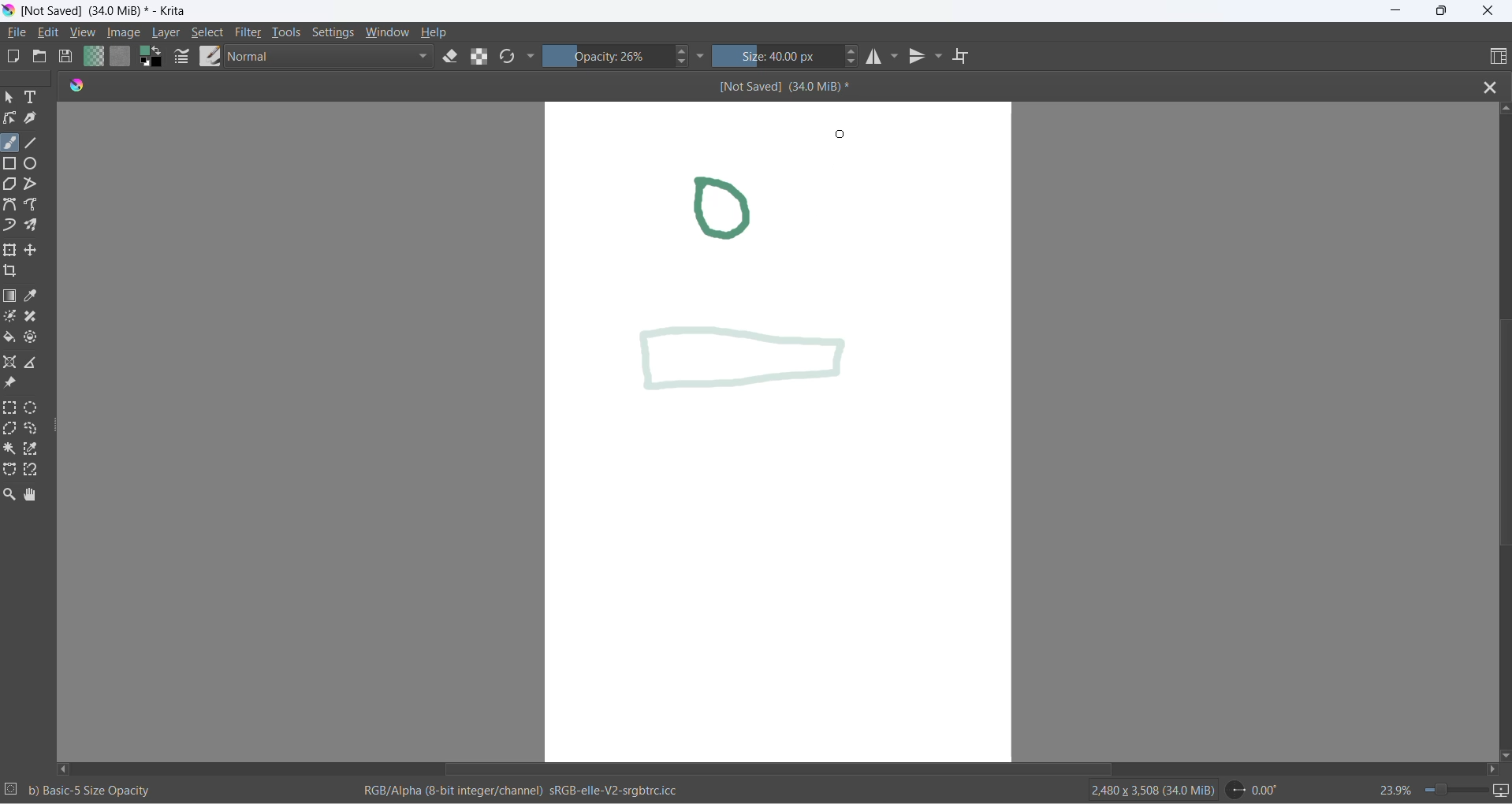 The height and width of the screenshot is (804, 1512). I want to click on minimize, so click(1396, 10).